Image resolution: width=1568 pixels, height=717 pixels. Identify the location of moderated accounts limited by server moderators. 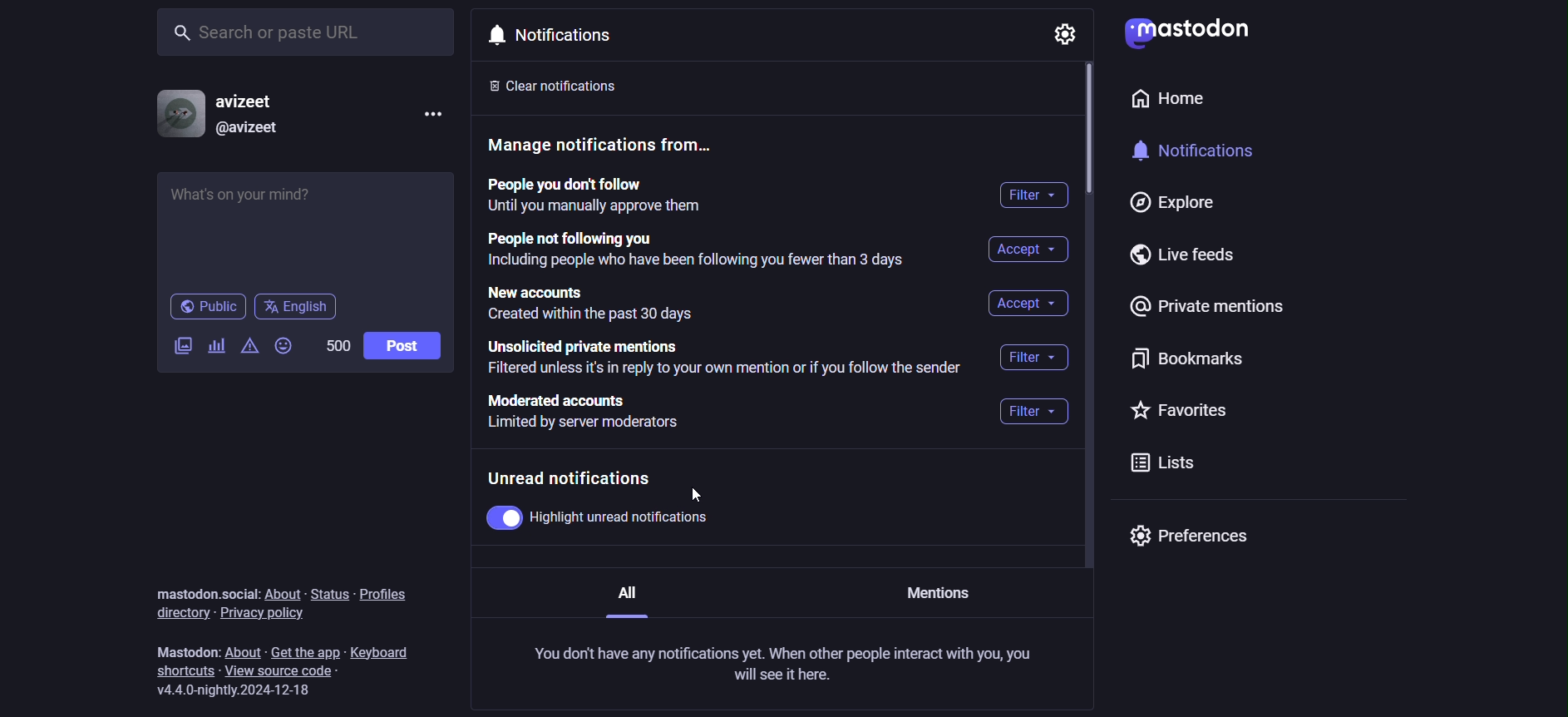
(594, 413).